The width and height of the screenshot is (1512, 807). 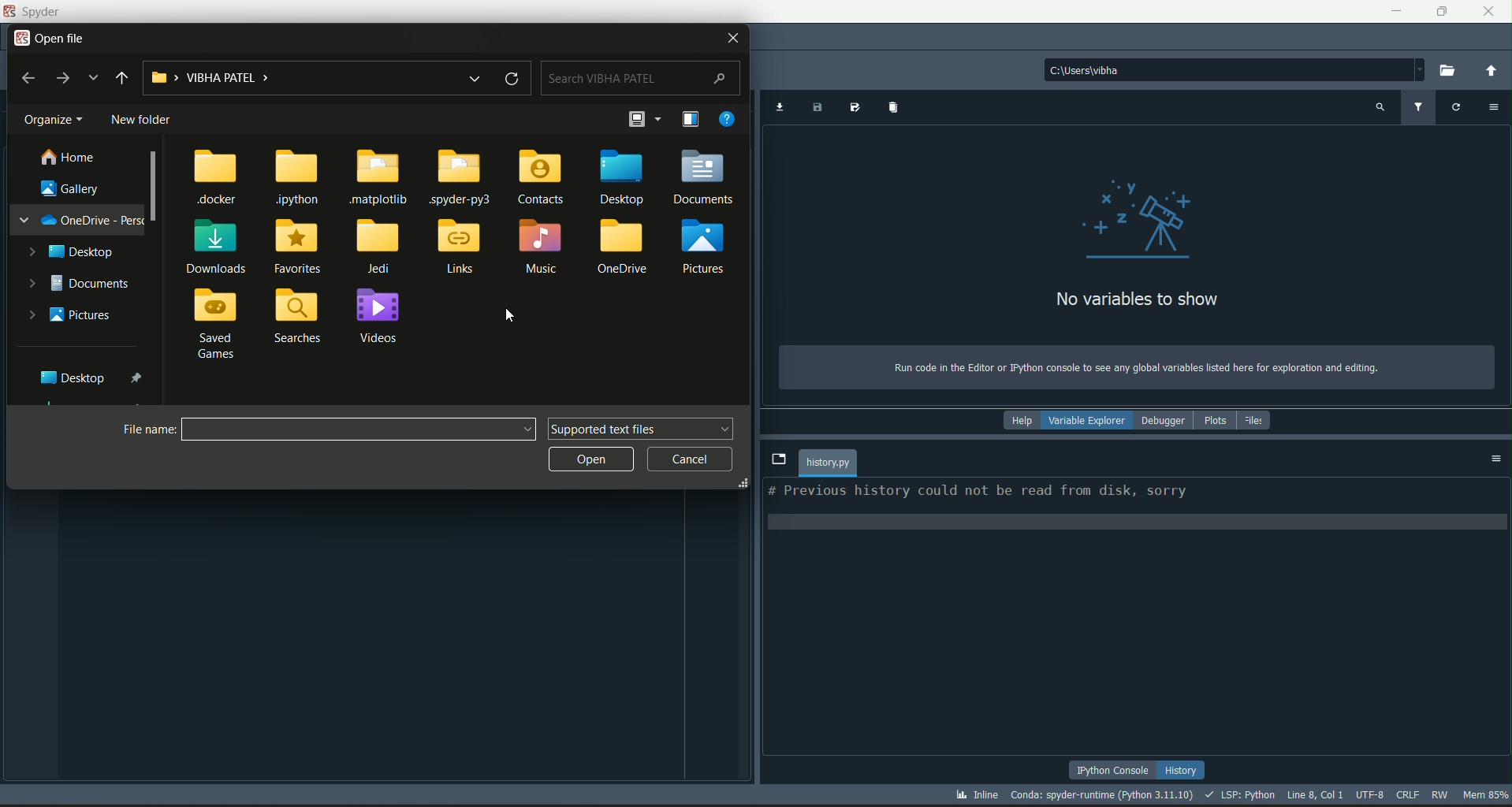 What do you see at coordinates (82, 220) in the screenshot?
I see `one drive` at bounding box center [82, 220].